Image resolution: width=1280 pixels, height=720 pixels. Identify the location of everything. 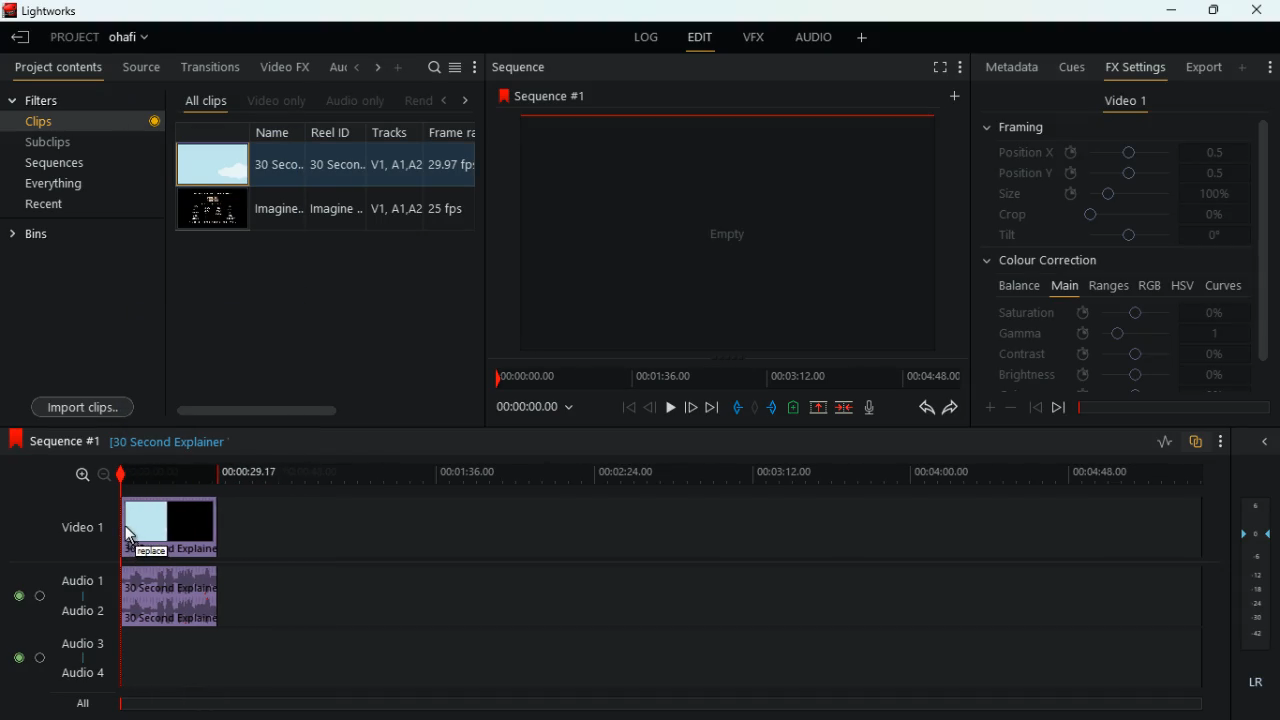
(59, 184).